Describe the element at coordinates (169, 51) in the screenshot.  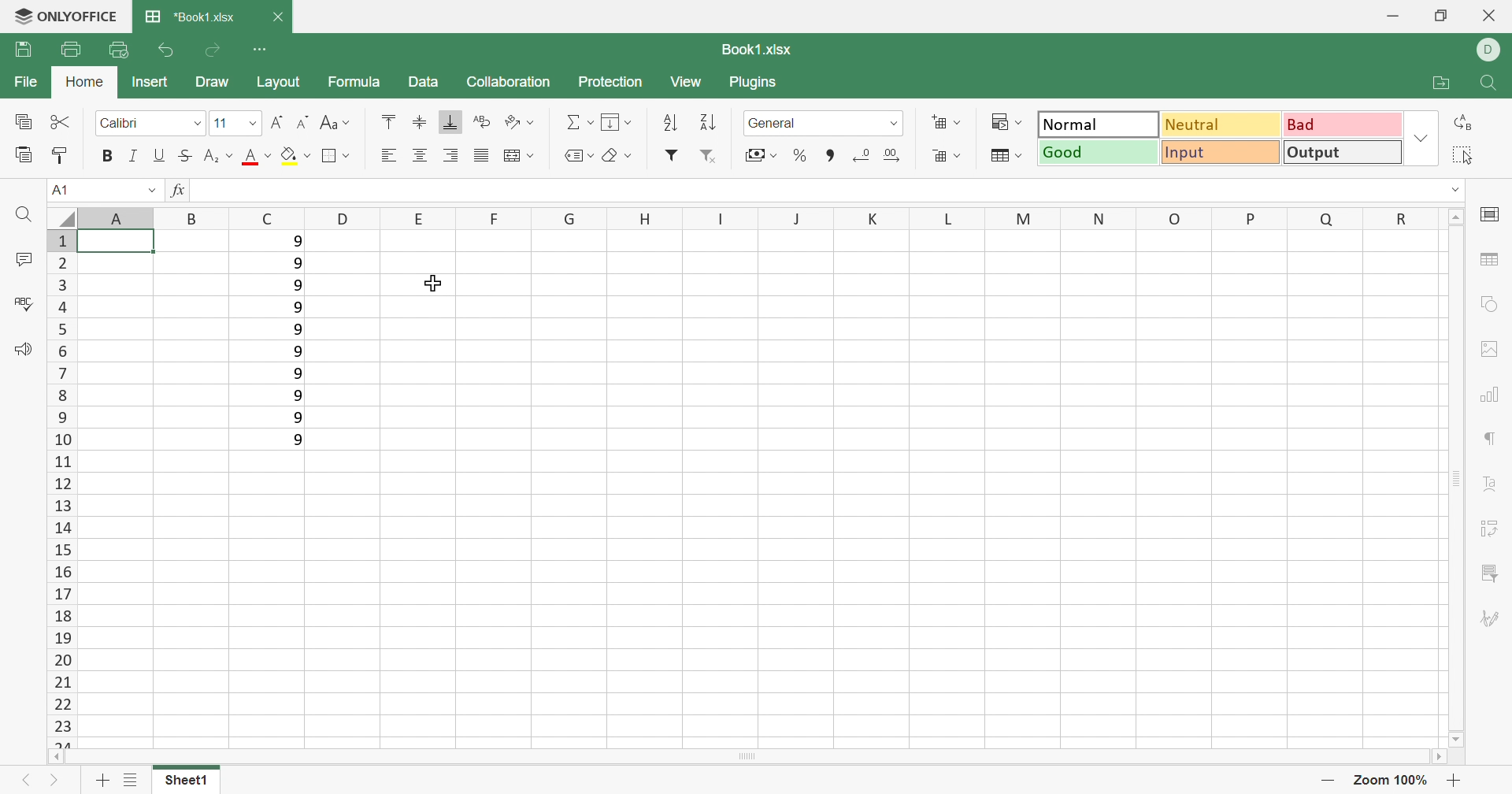
I see `Undo` at that location.